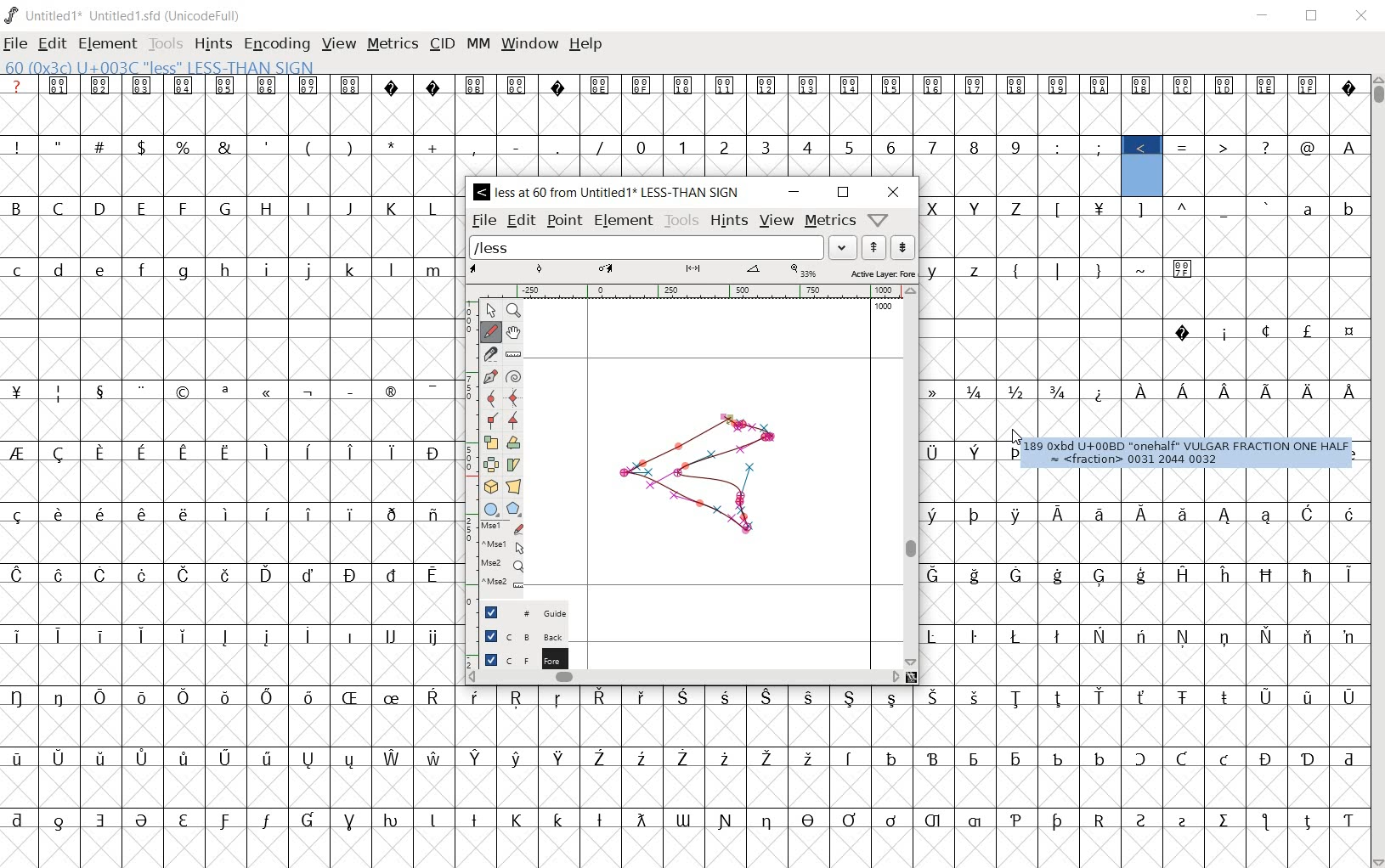 The image size is (1385, 868). Describe the element at coordinates (893, 192) in the screenshot. I see `close` at that location.